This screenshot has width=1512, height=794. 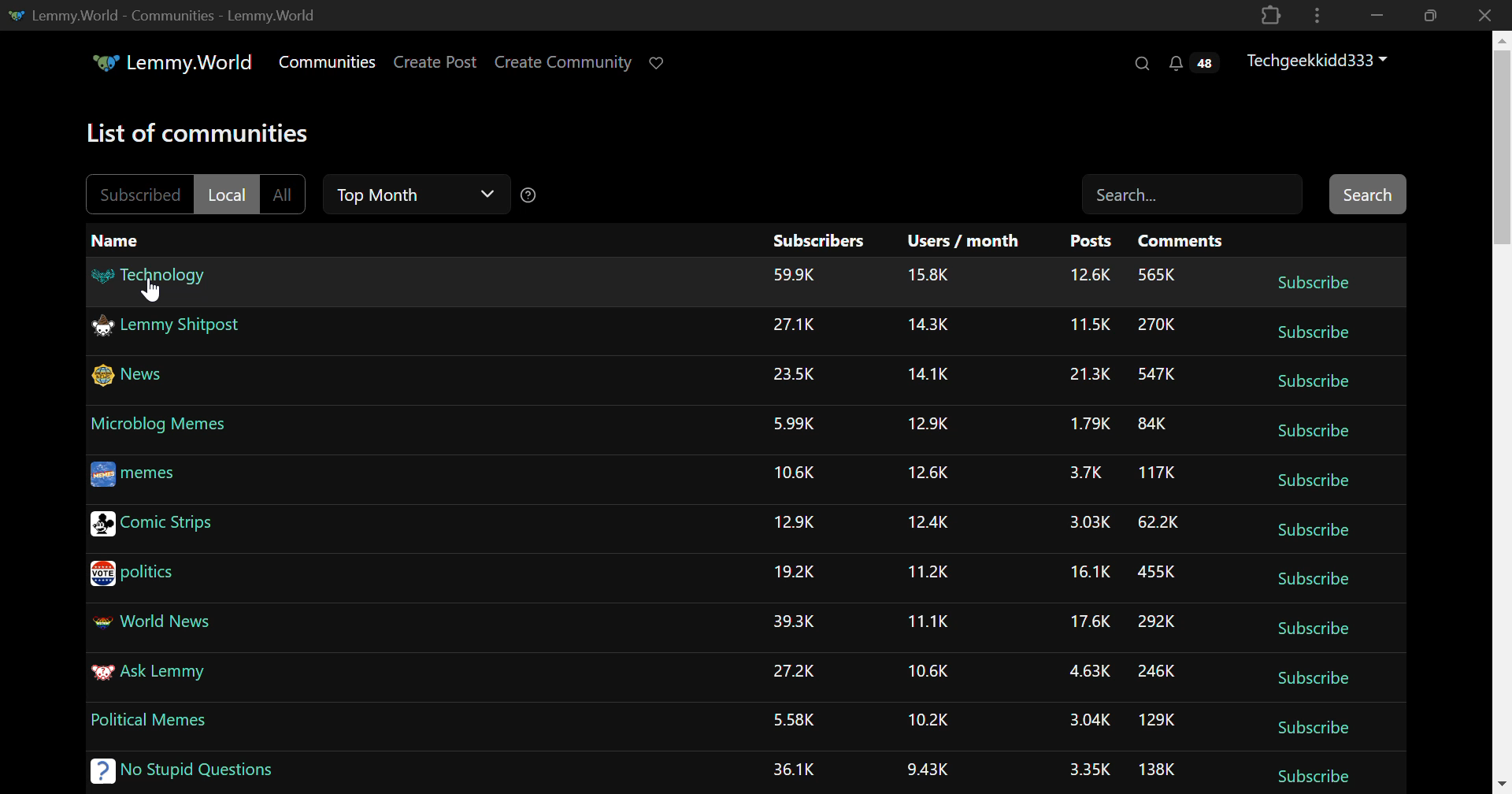 What do you see at coordinates (926, 671) in the screenshot?
I see `10.6K` at bounding box center [926, 671].